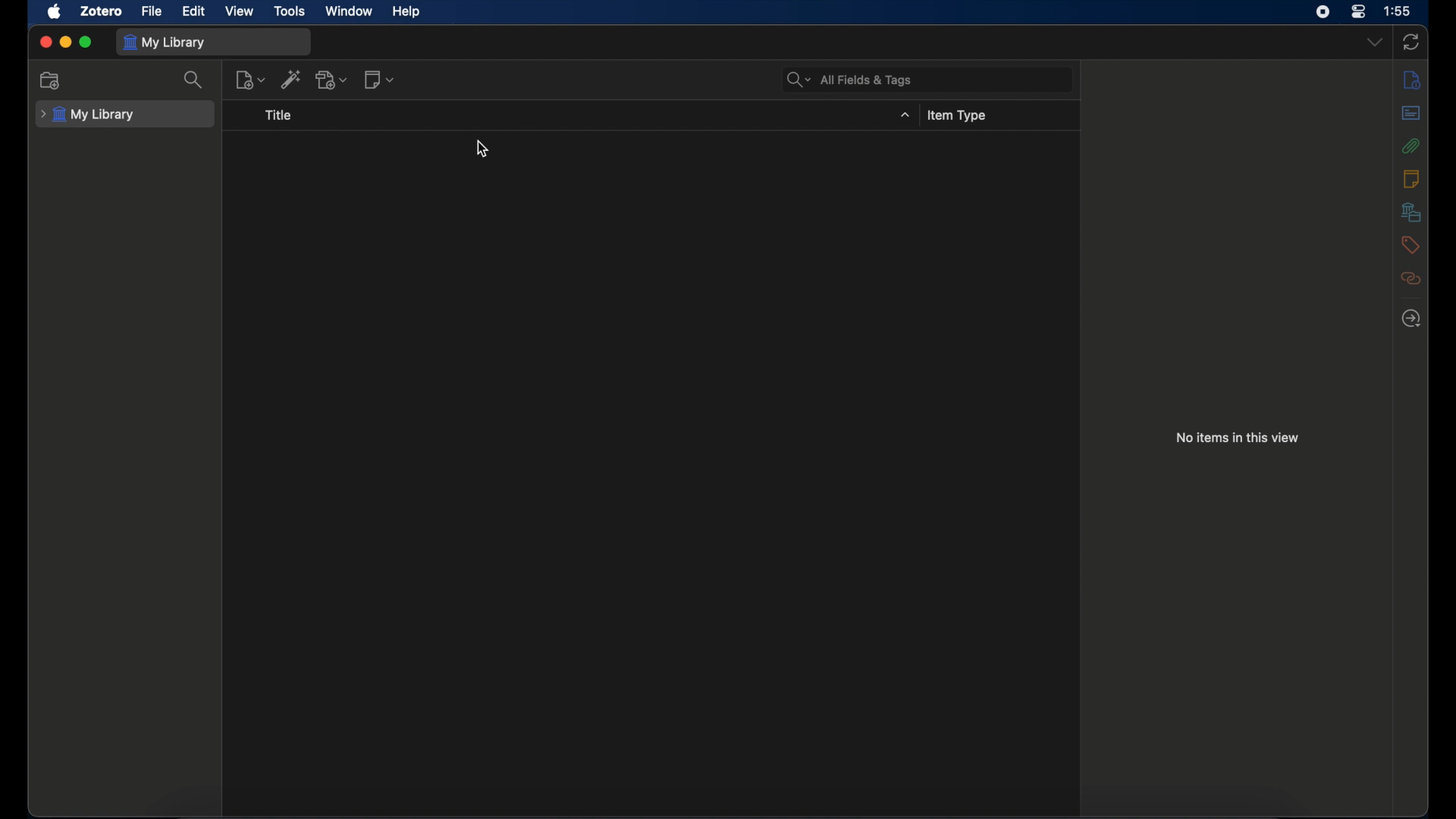 The height and width of the screenshot is (819, 1456). I want to click on new collection, so click(52, 81).